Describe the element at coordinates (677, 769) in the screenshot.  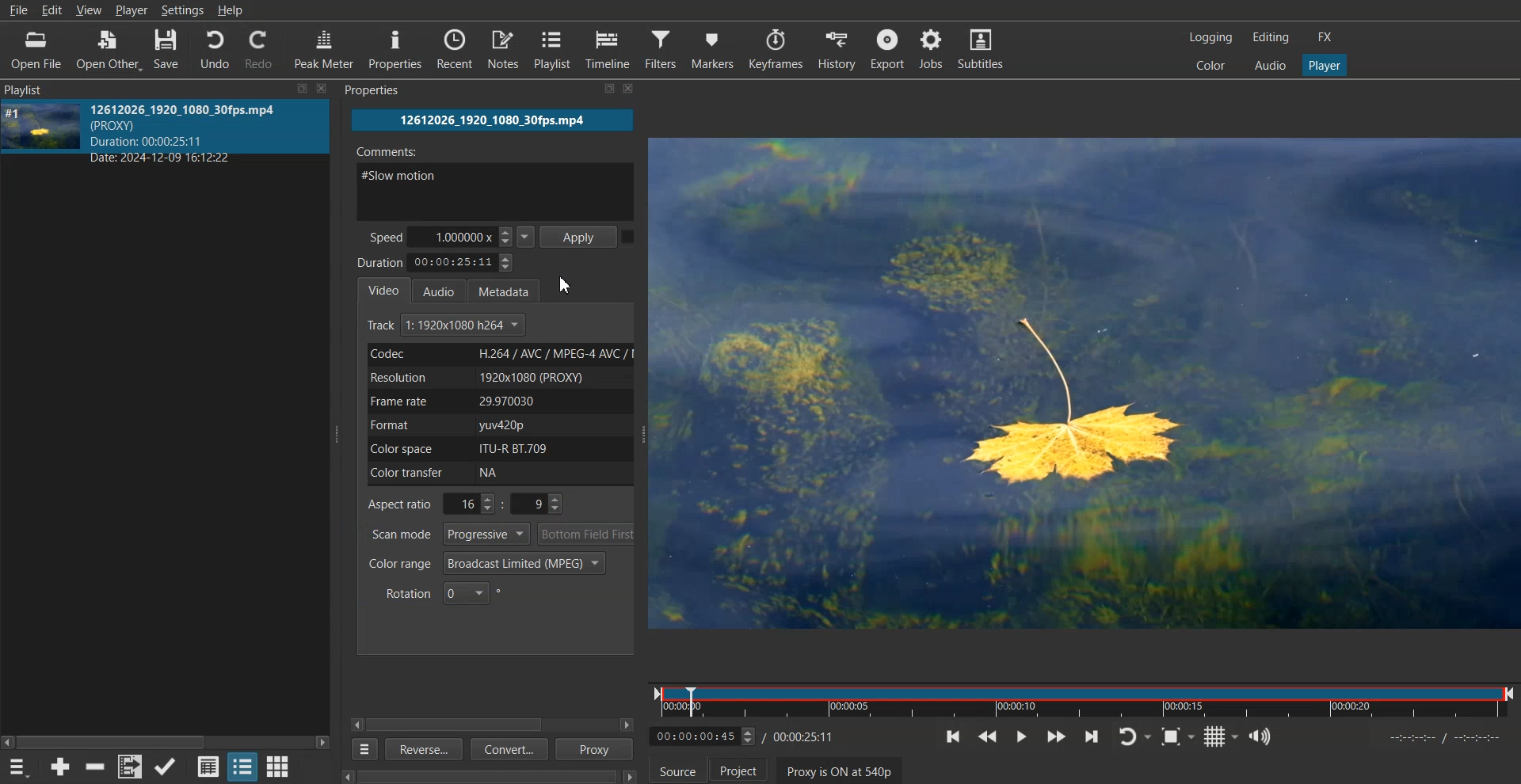
I see `Source` at that location.